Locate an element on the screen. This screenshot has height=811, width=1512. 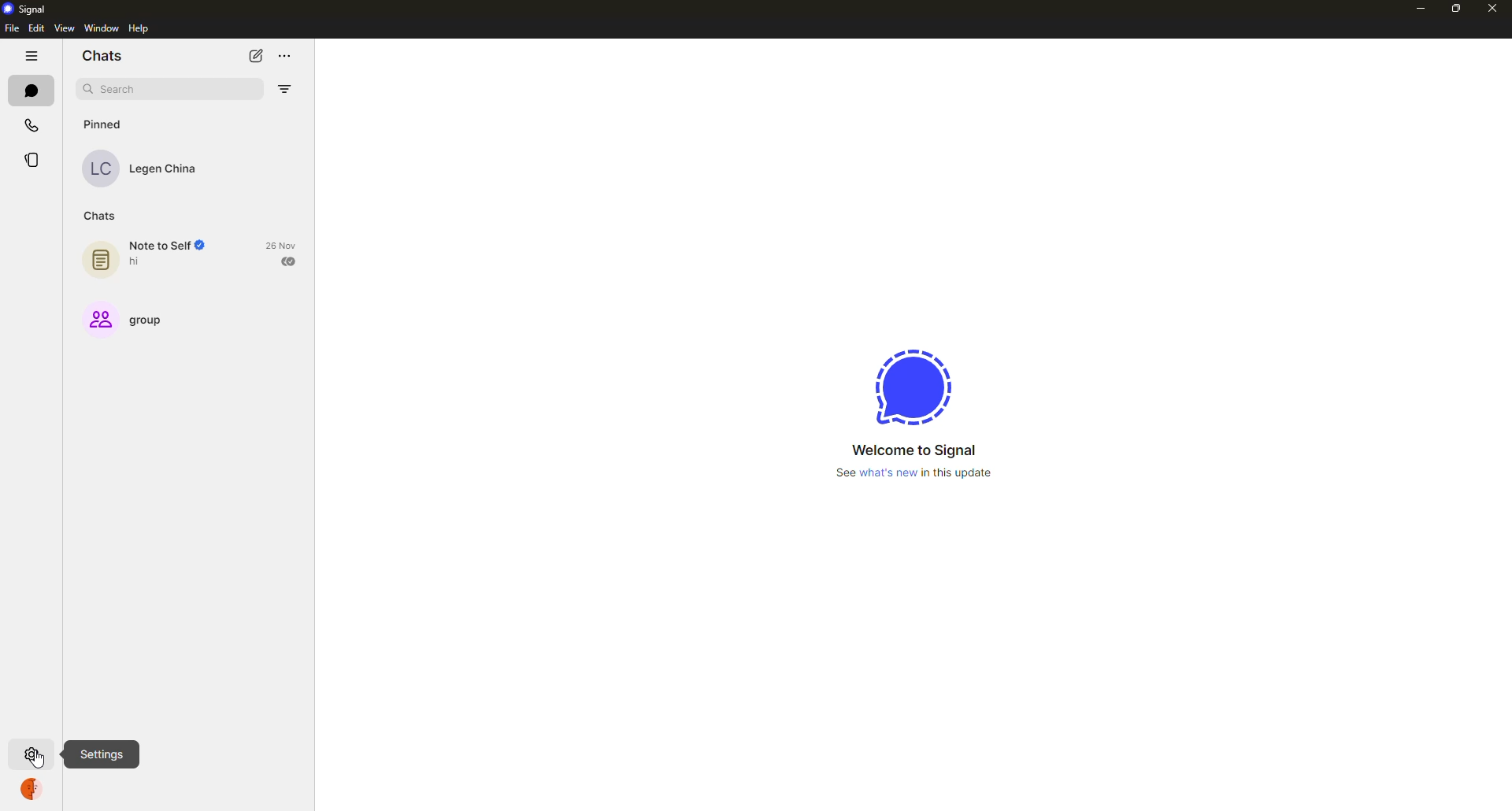
Notes is located at coordinates (98, 261).